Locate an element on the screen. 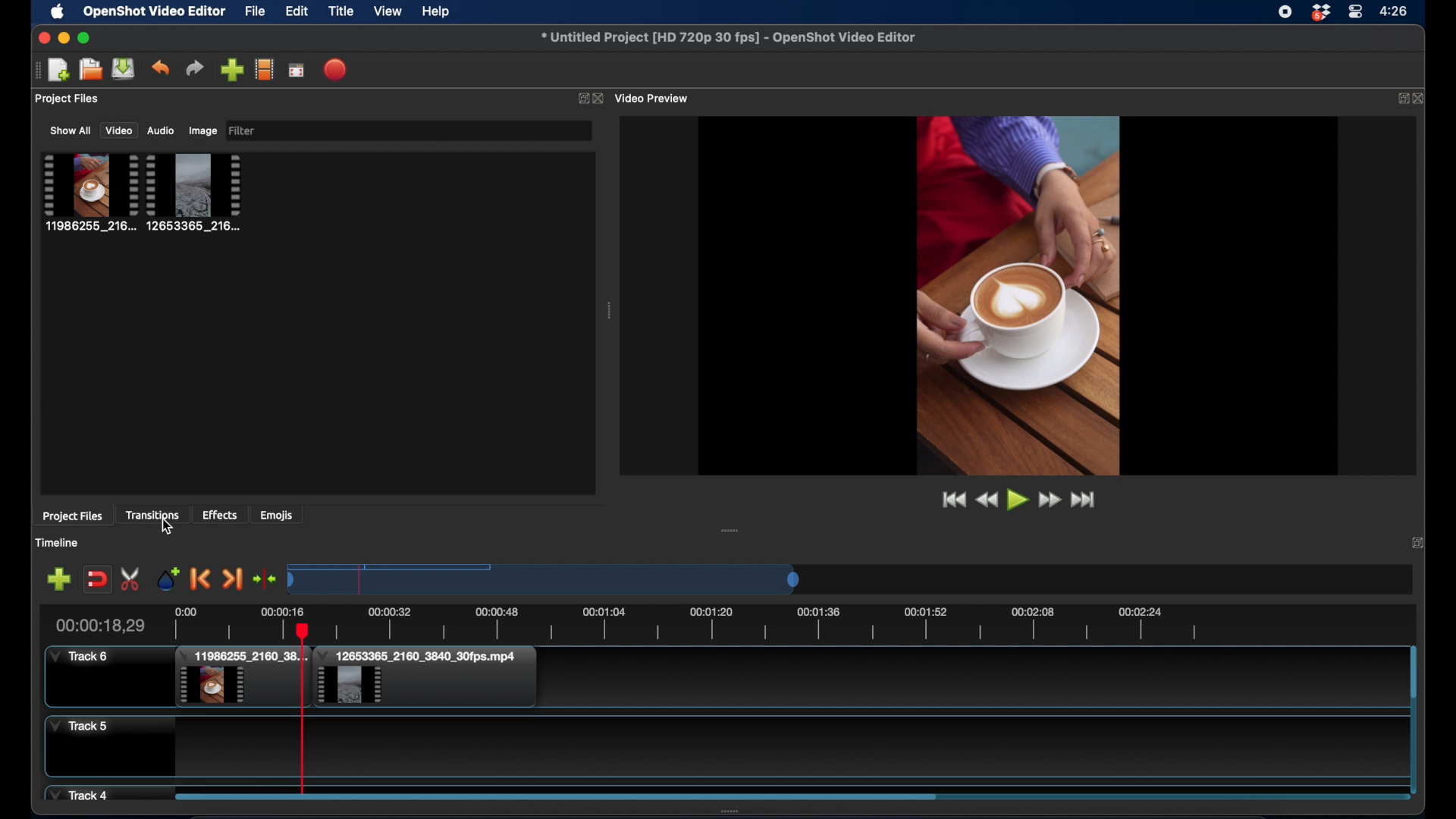 The image size is (1456, 819). show all is located at coordinates (70, 130).